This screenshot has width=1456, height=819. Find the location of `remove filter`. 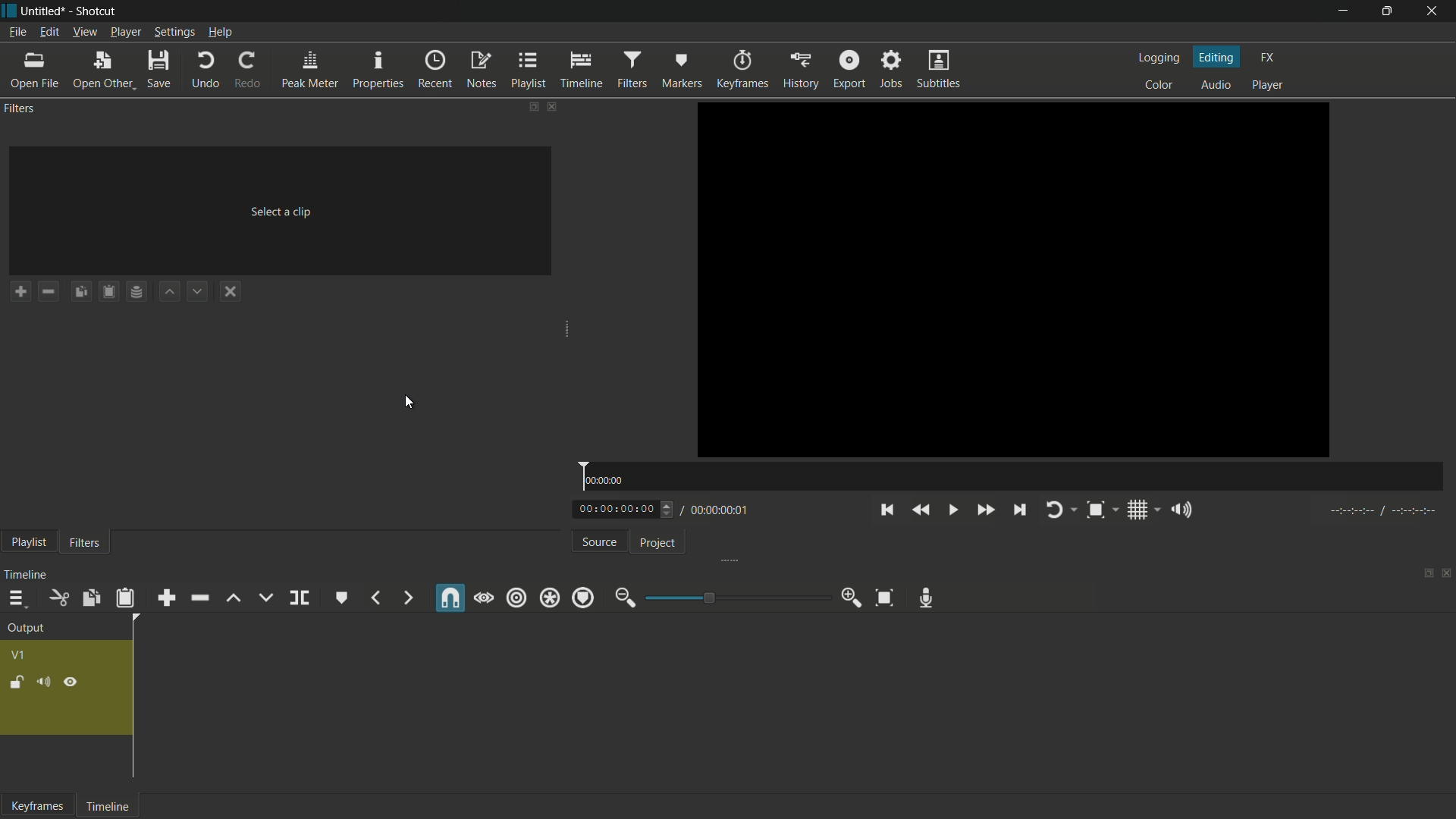

remove filter is located at coordinates (48, 291).